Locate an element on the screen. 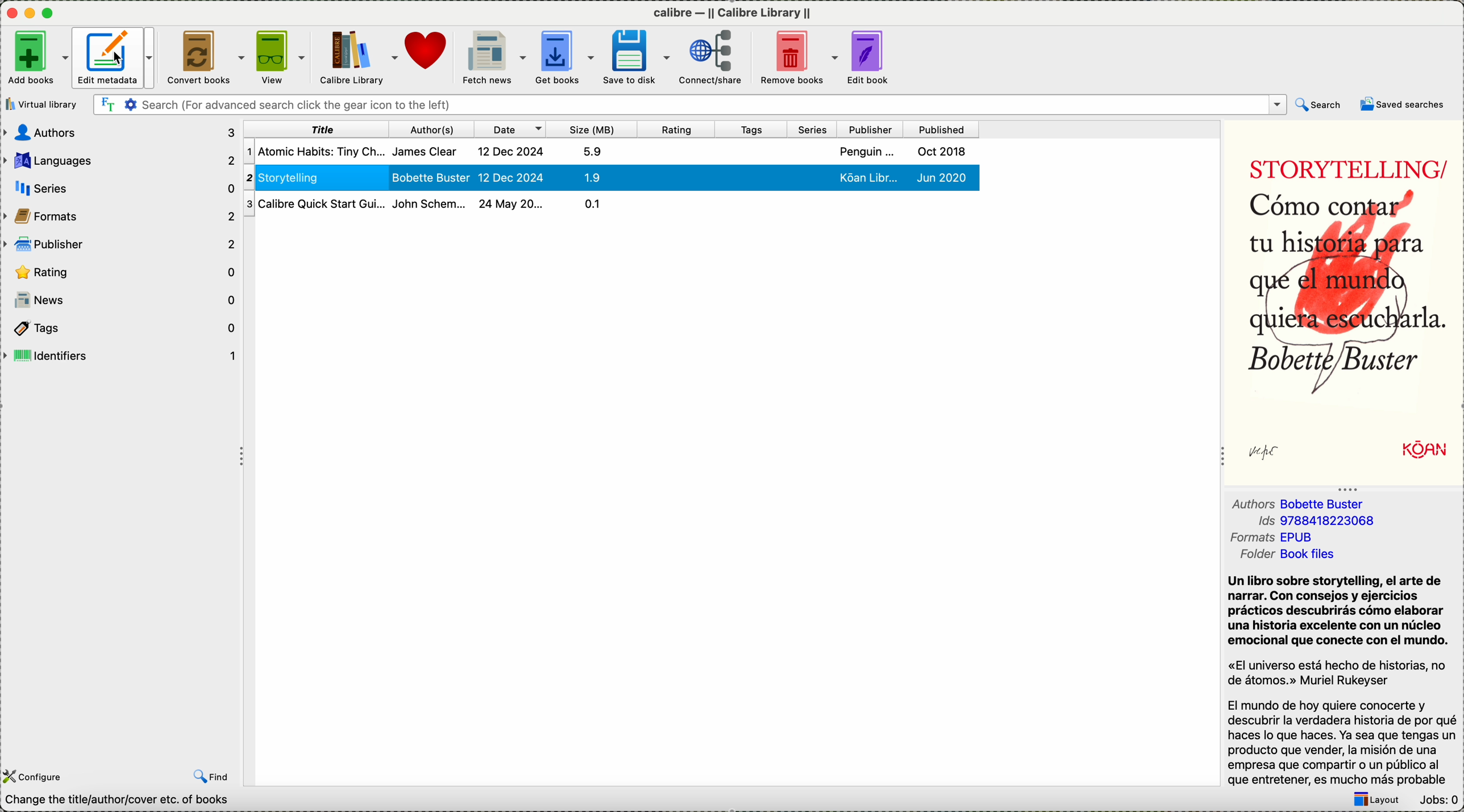 The width and height of the screenshot is (1464, 812). edit book is located at coordinates (870, 59).